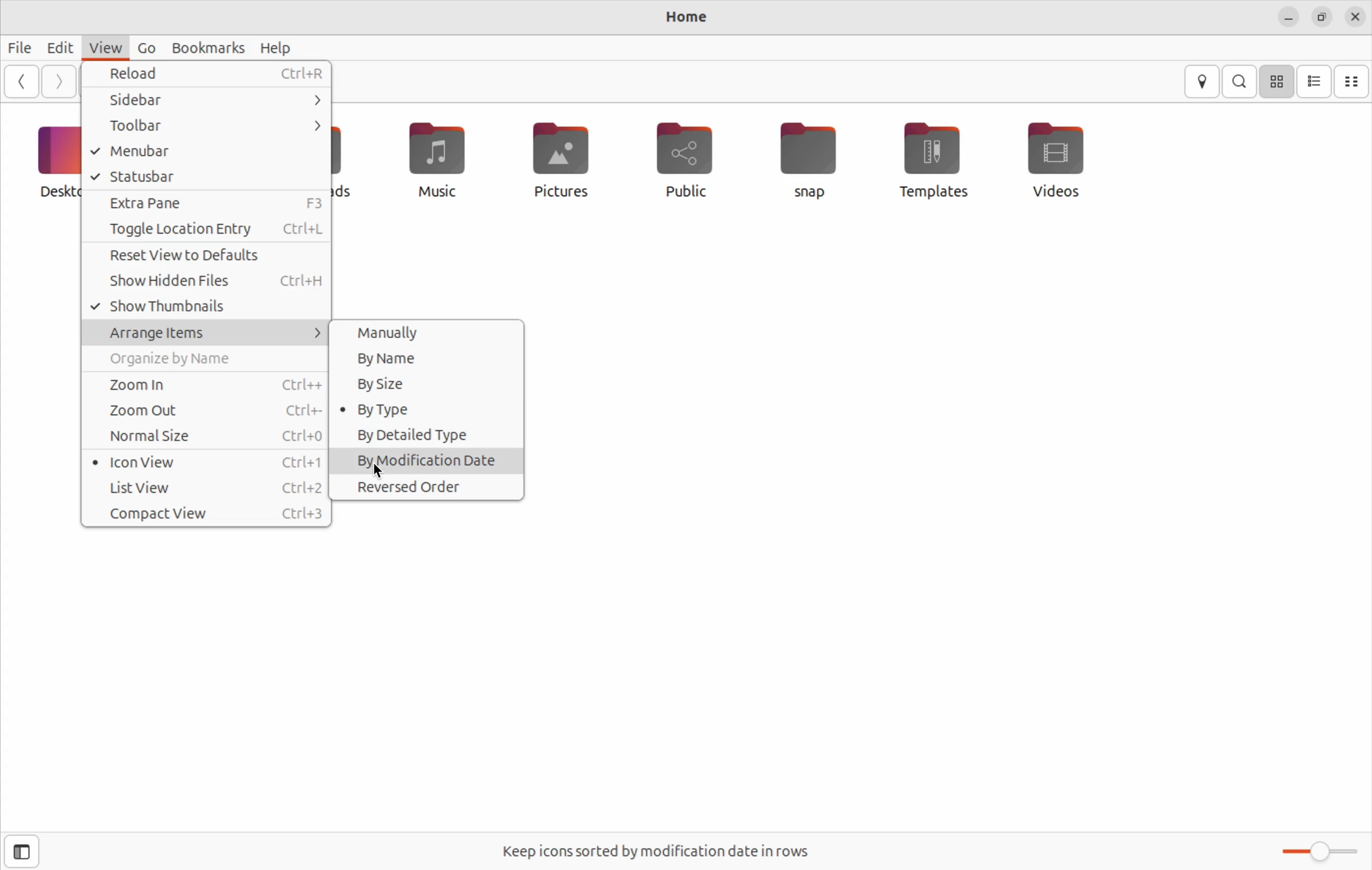 The width and height of the screenshot is (1372, 870). I want to click on show hidden files, so click(209, 281).